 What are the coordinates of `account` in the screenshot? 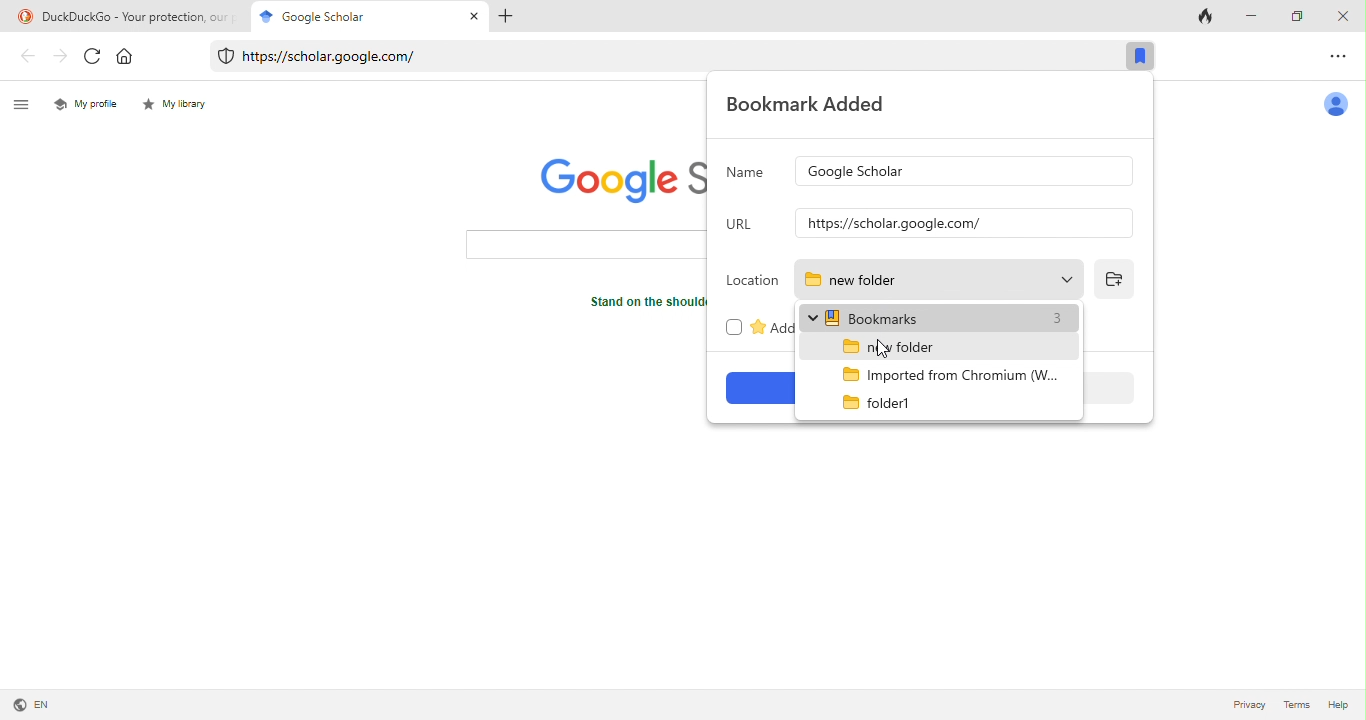 It's located at (1339, 107).